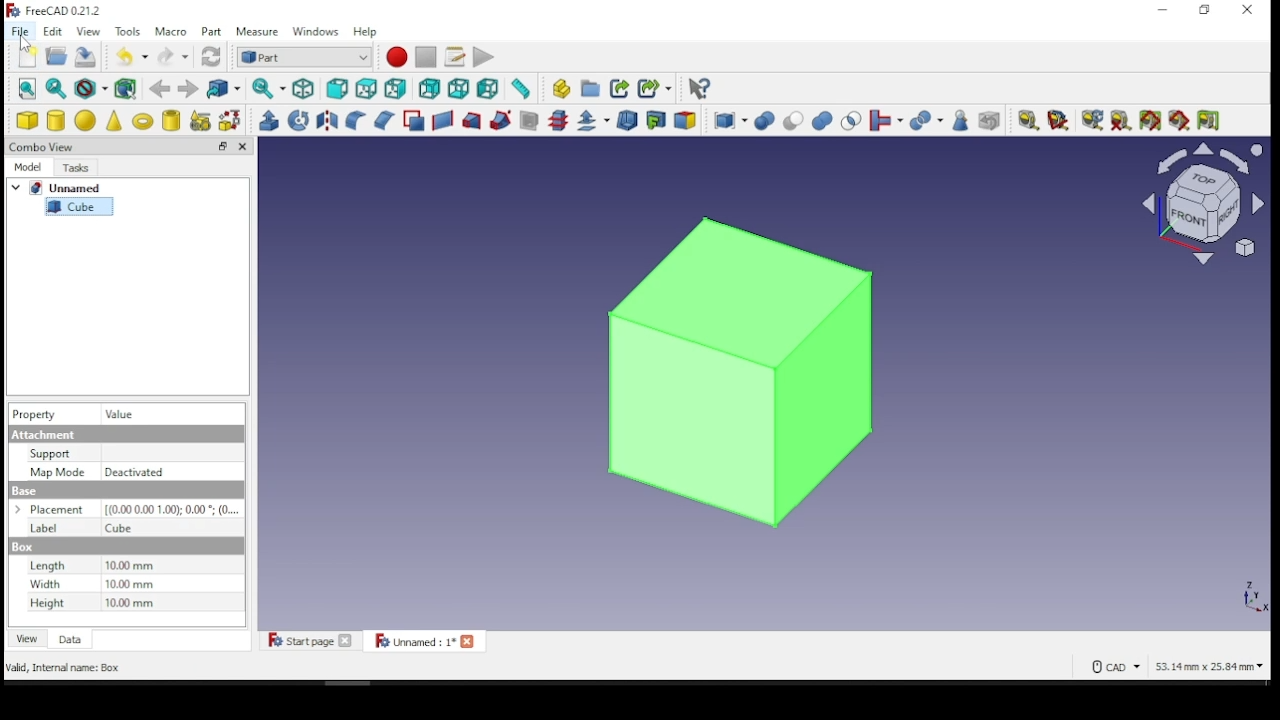 The image size is (1280, 720). What do you see at coordinates (130, 414) in the screenshot?
I see `value` at bounding box center [130, 414].